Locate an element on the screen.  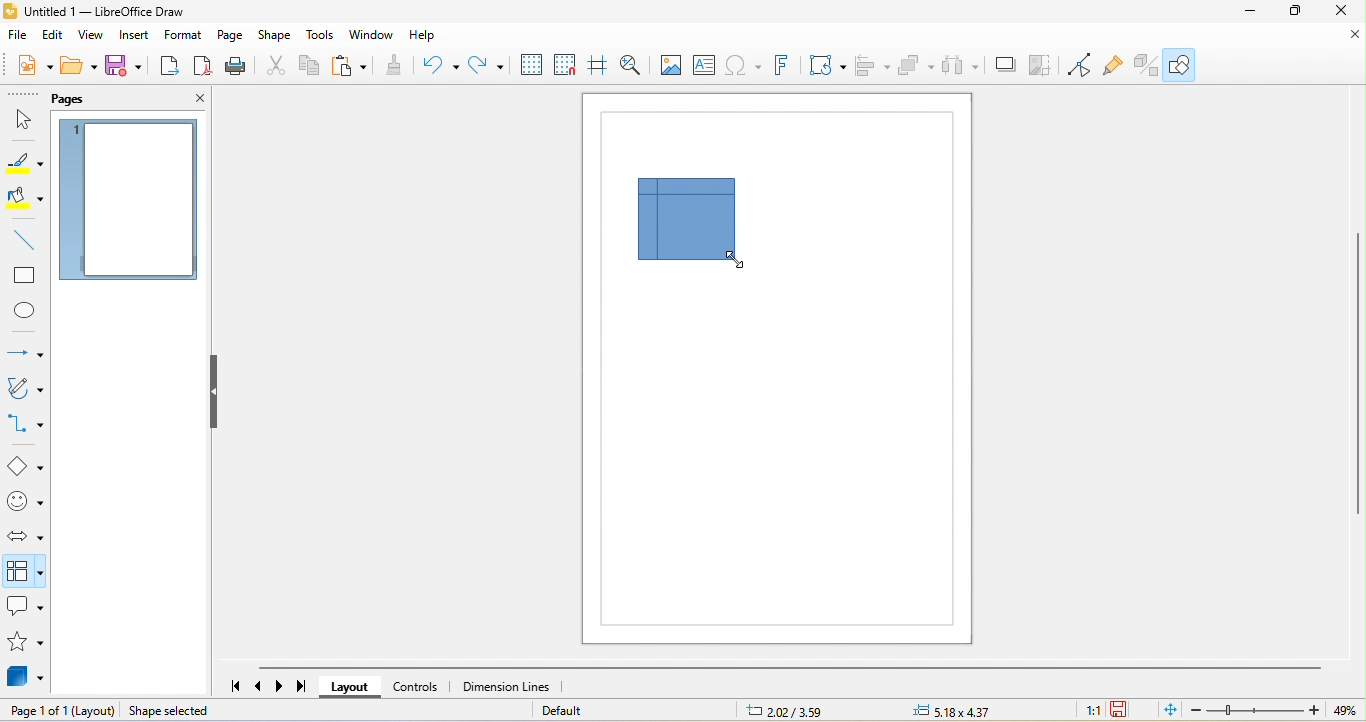
image is located at coordinates (669, 66).